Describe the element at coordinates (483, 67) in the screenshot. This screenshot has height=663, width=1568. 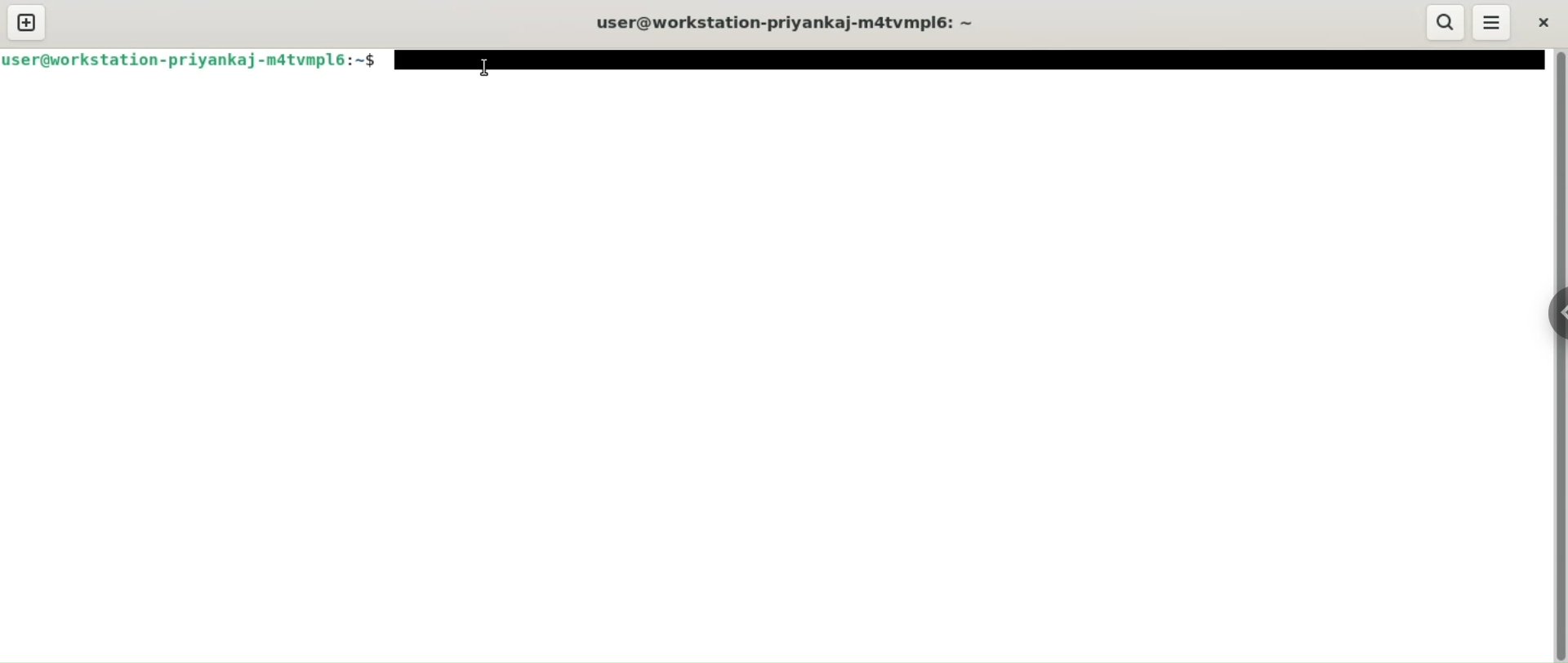
I see `cursor` at that location.